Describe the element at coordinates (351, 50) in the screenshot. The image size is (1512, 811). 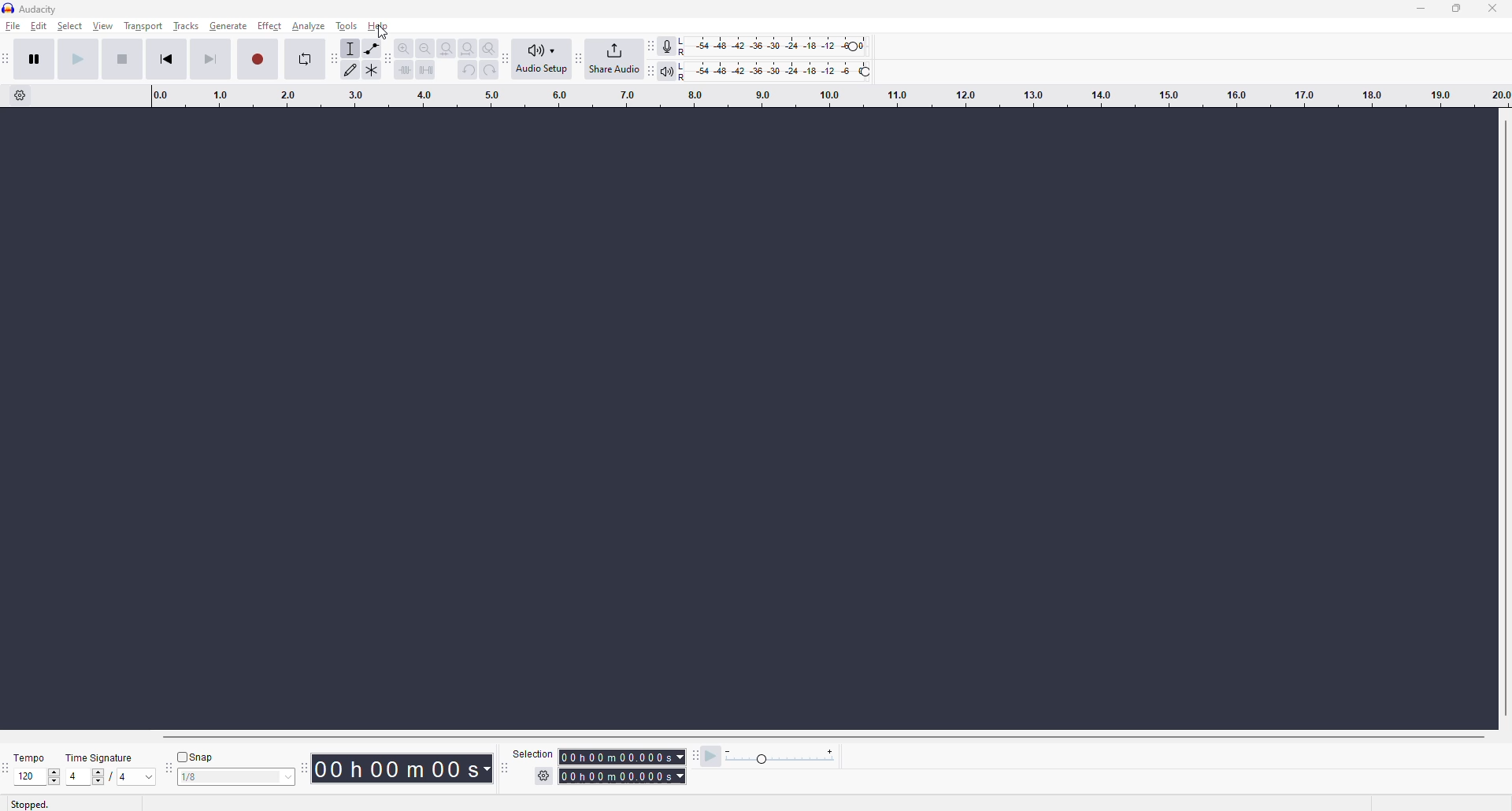
I see `selection tool` at that location.